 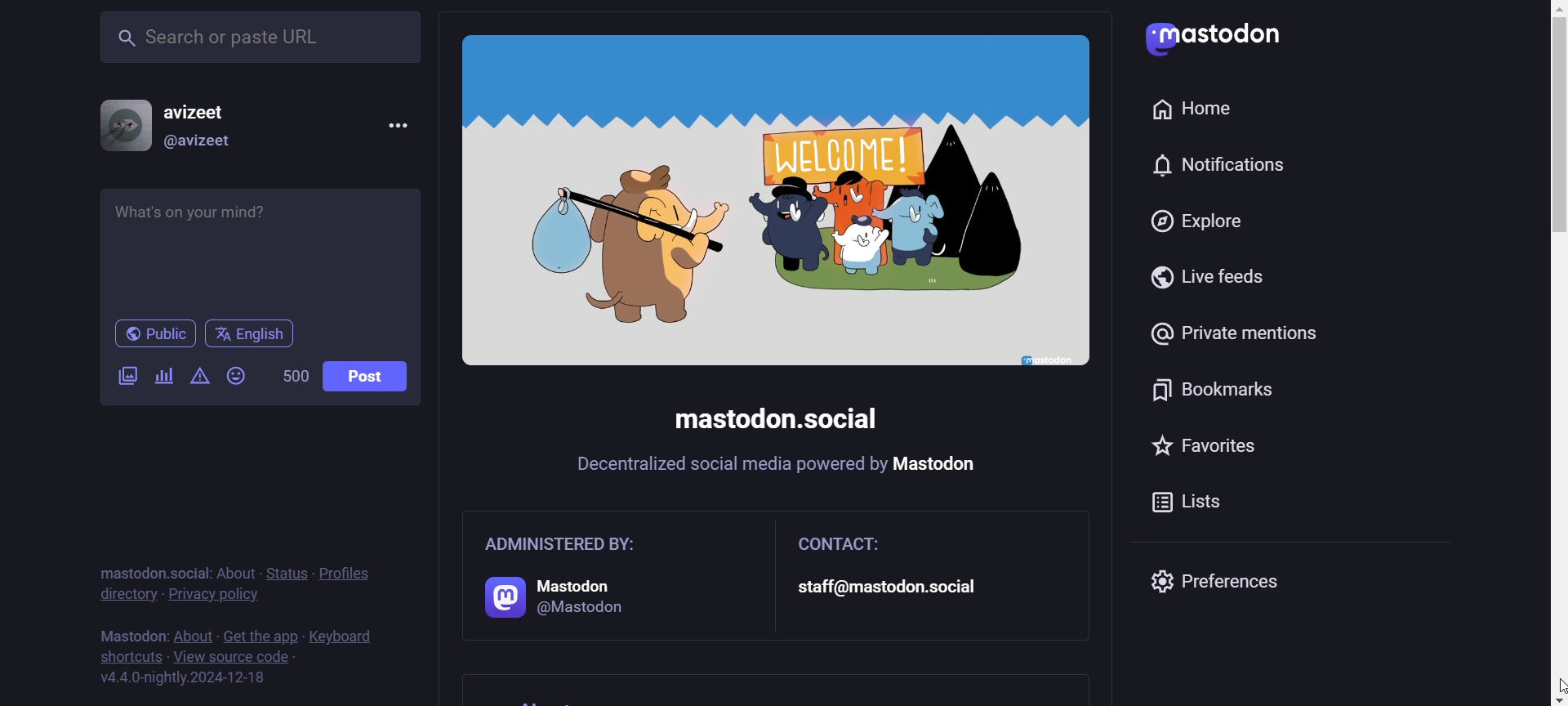 I want to click on @Mastodon, so click(x=579, y=606).